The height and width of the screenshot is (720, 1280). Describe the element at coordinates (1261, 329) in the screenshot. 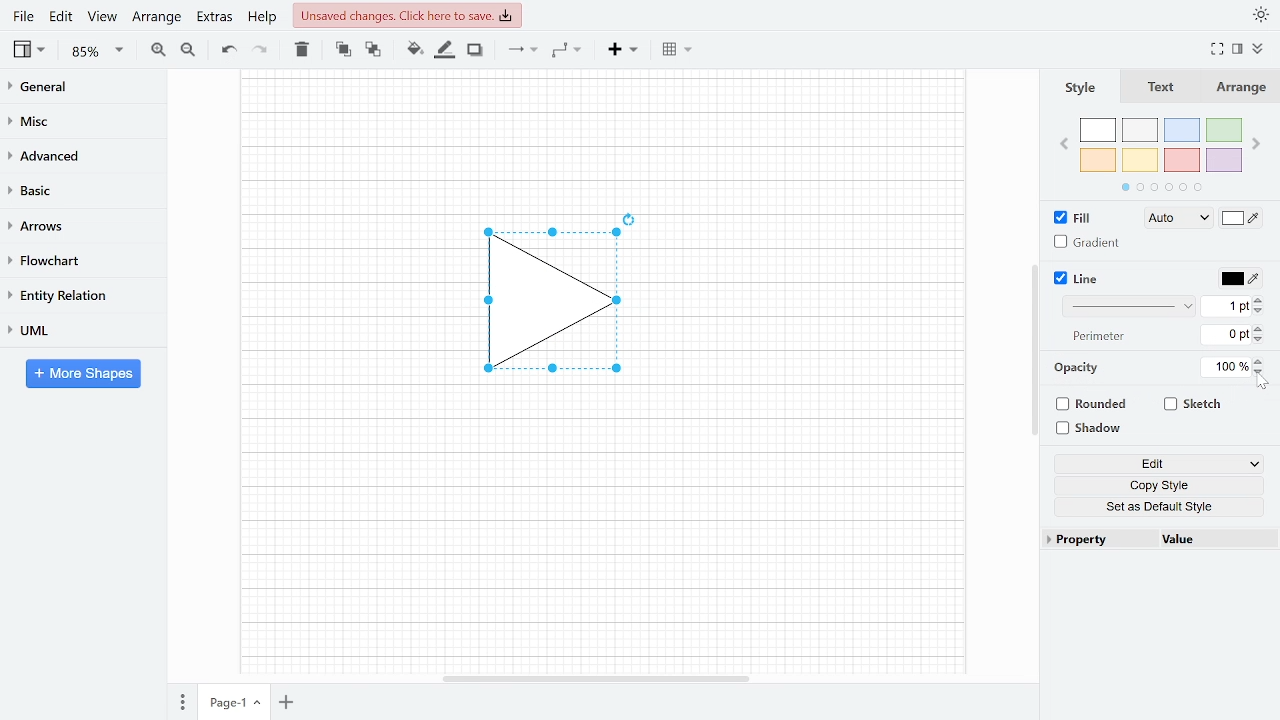

I see `Increase perimeter` at that location.